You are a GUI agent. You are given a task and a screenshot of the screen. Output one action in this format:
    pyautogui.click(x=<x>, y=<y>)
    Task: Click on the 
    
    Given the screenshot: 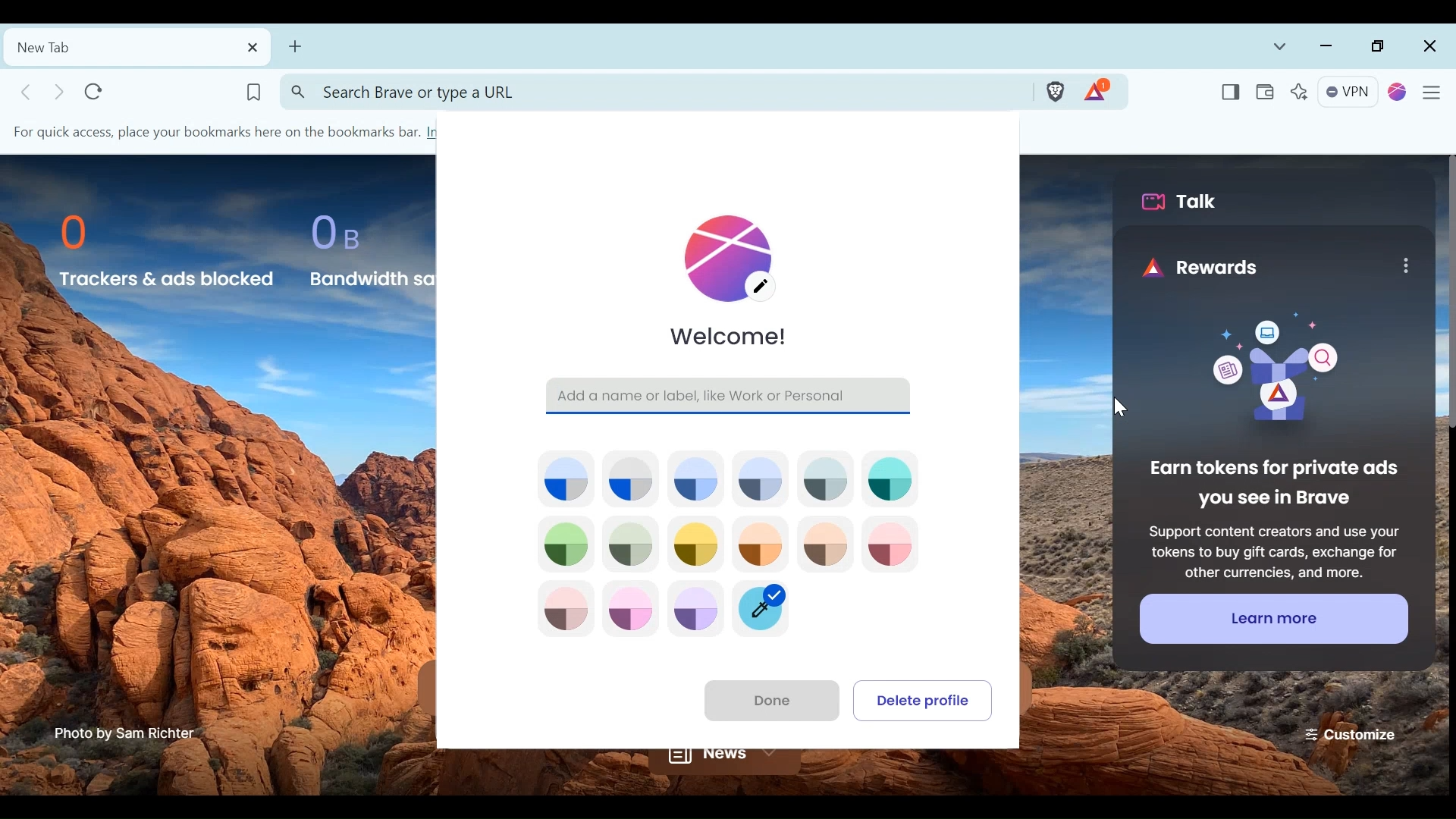 What is the action you would take?
    pyautogui.click(x=1114, y=410)
    